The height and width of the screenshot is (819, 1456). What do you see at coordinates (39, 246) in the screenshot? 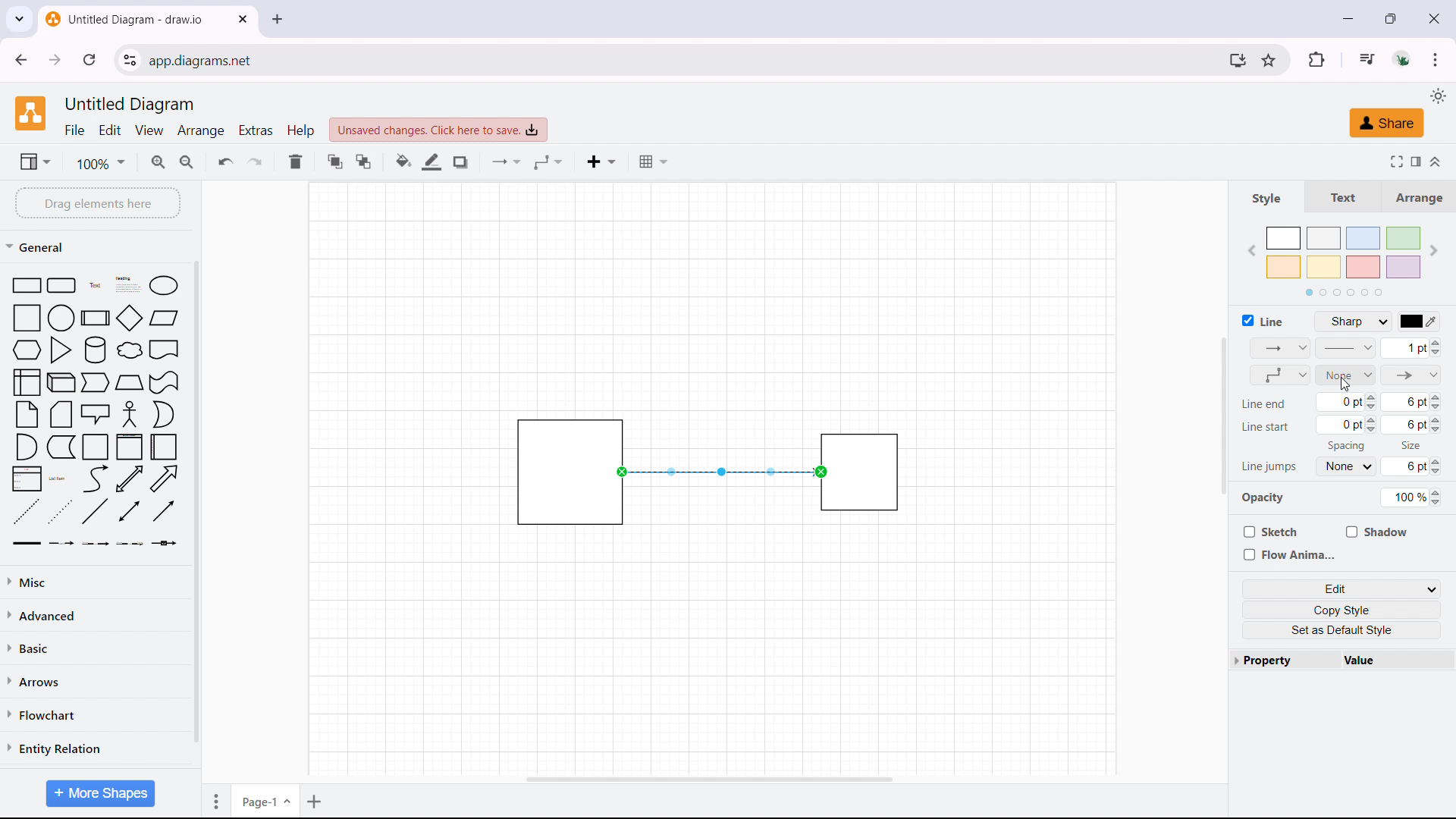
I see `general` at bounding box center [39, 246].